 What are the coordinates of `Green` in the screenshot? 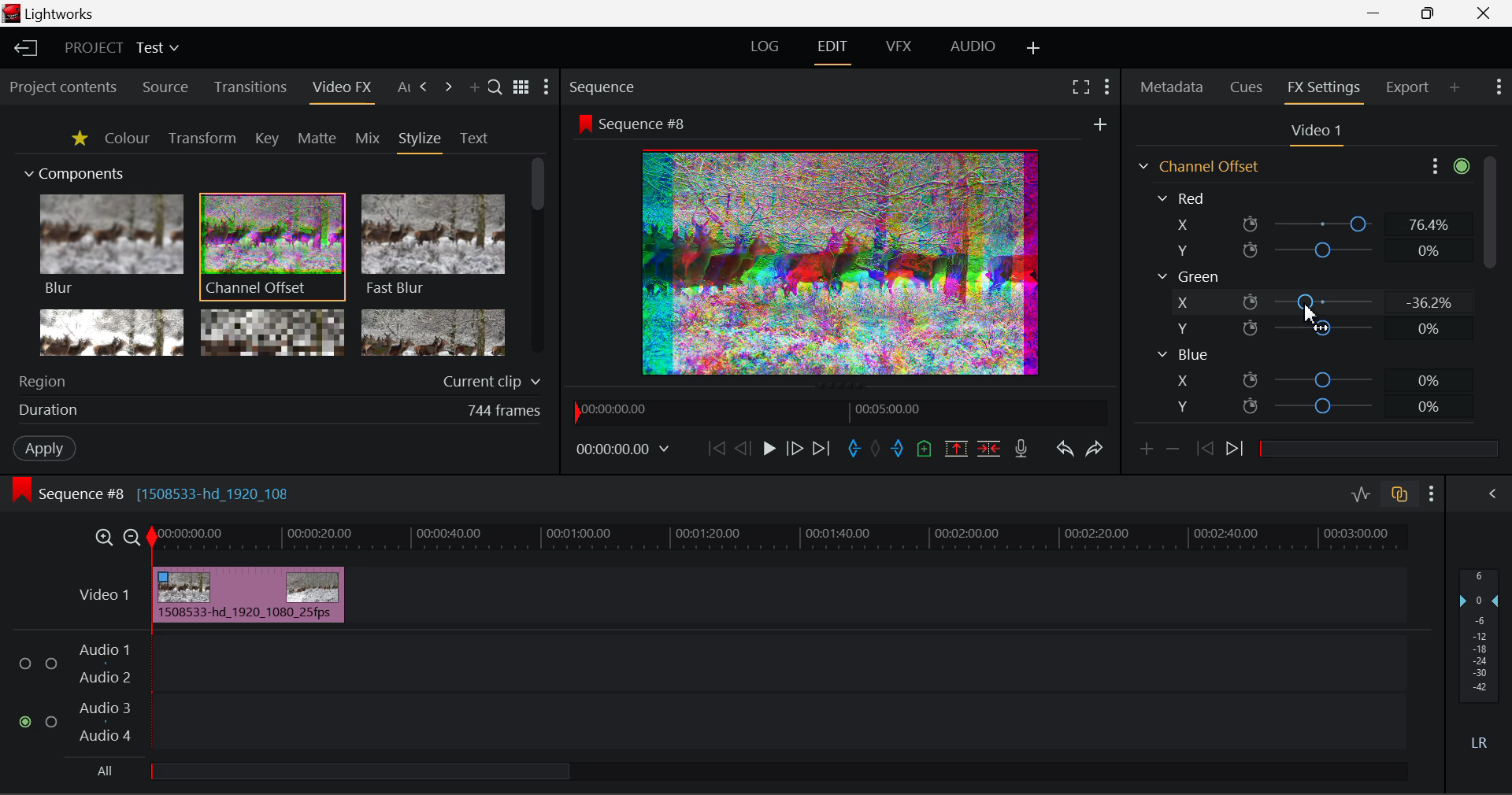 It's located at (1188, 276).